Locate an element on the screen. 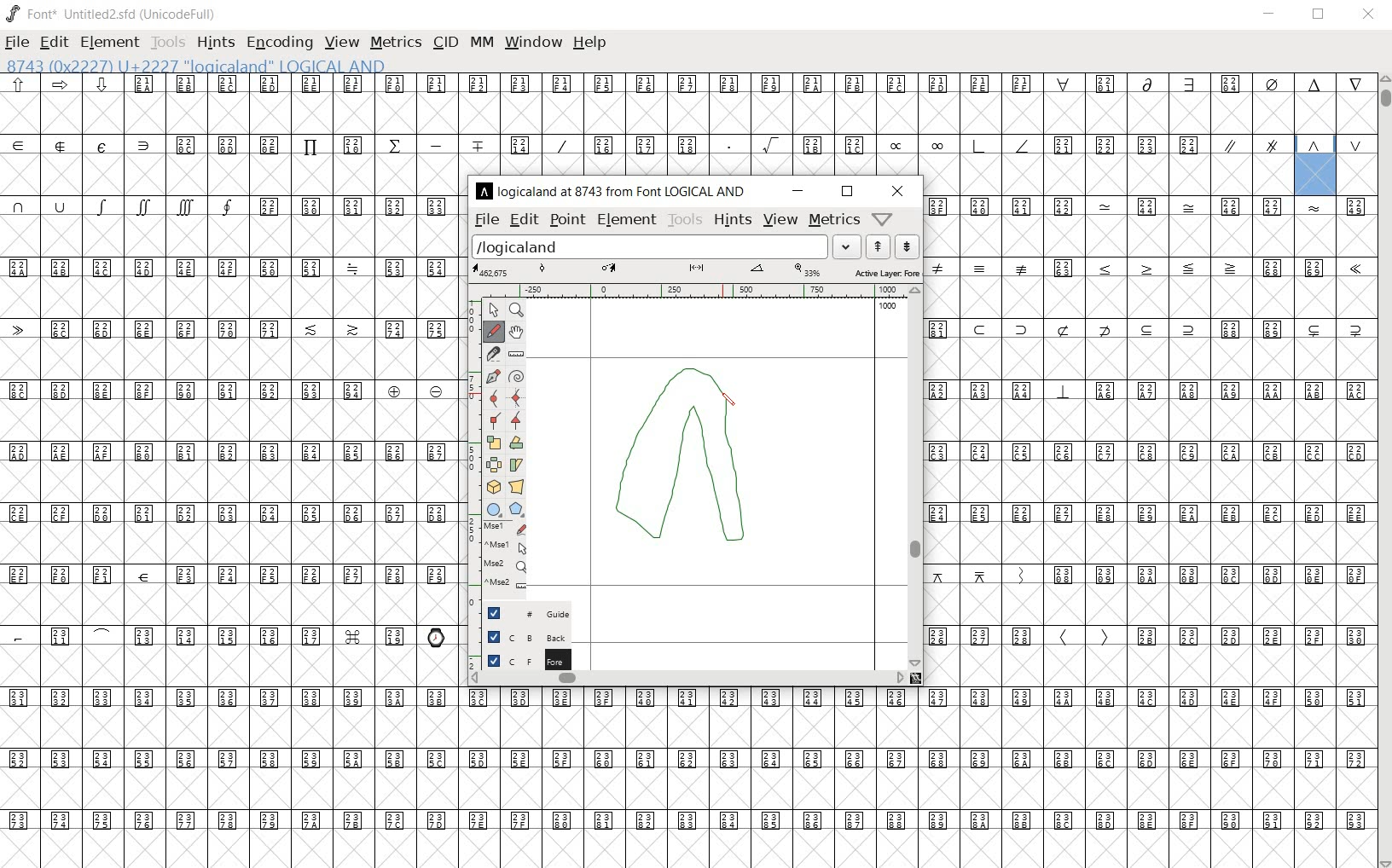 The height and width of the screenshot is (868, 1392). add a curve point always either horizontal or vertical is located at coordinates (517, 396).